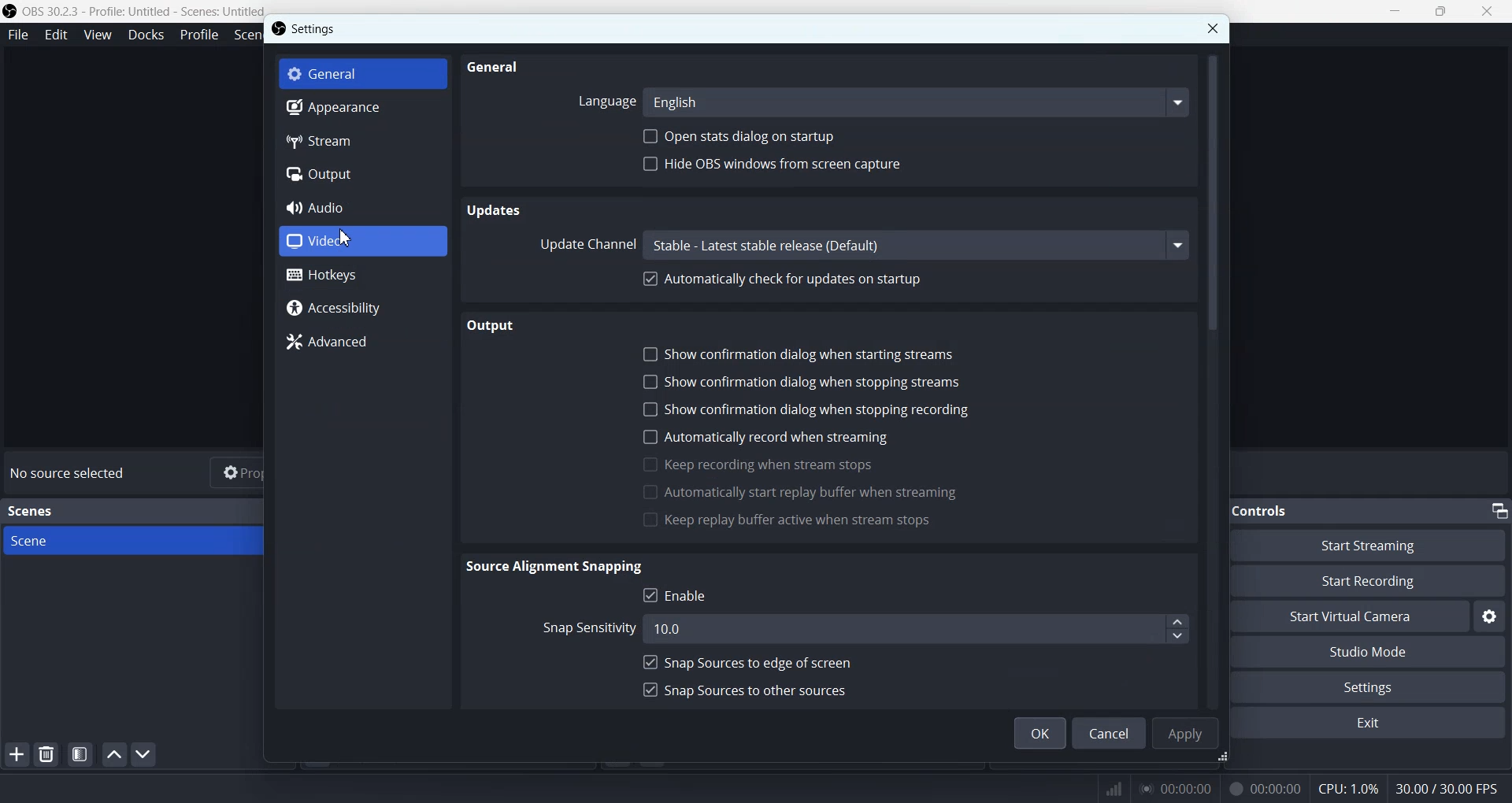 This screenshot has width=1512, height=803. Describe the element at coordinates (584, 629) in the screenshot. I see `Snap Sensitivity` at that location.